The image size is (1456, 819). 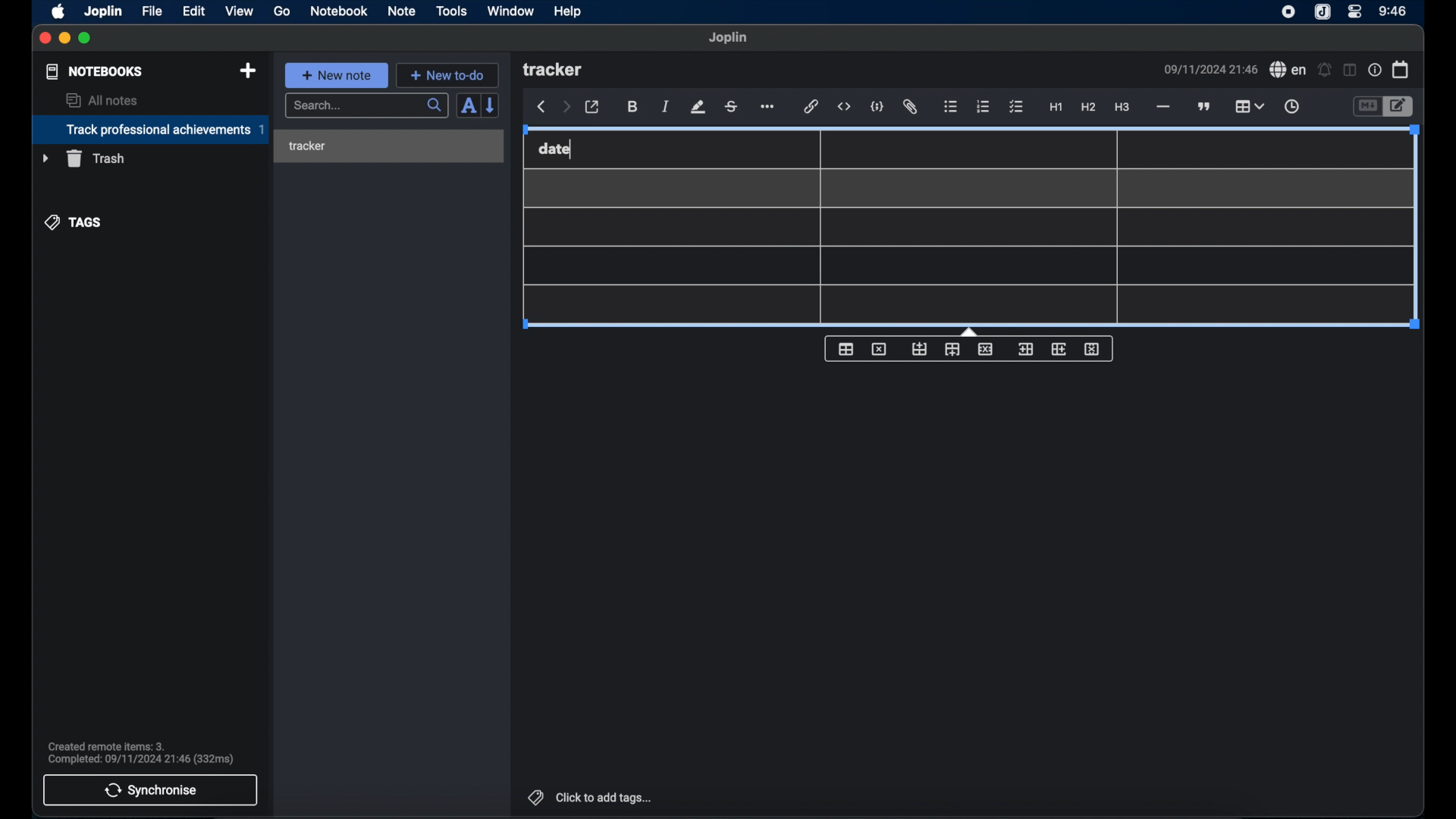 What do you see at coordinates (1401, 69) in the screenshot?
I see `calendar` at bounding box center [1401, 69].